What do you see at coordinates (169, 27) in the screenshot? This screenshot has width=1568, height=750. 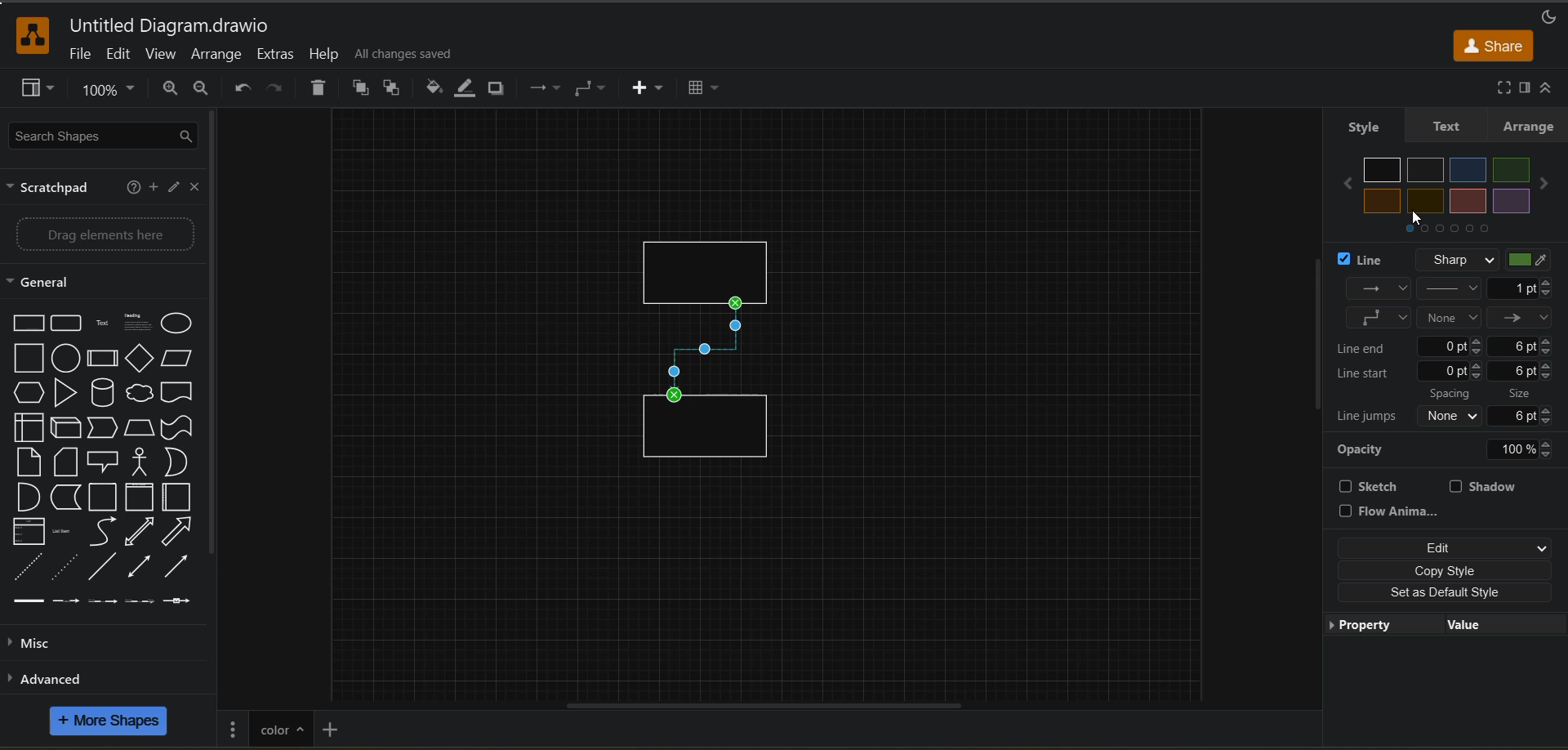 I see `file name and app title` at bounding box center [169, 27].